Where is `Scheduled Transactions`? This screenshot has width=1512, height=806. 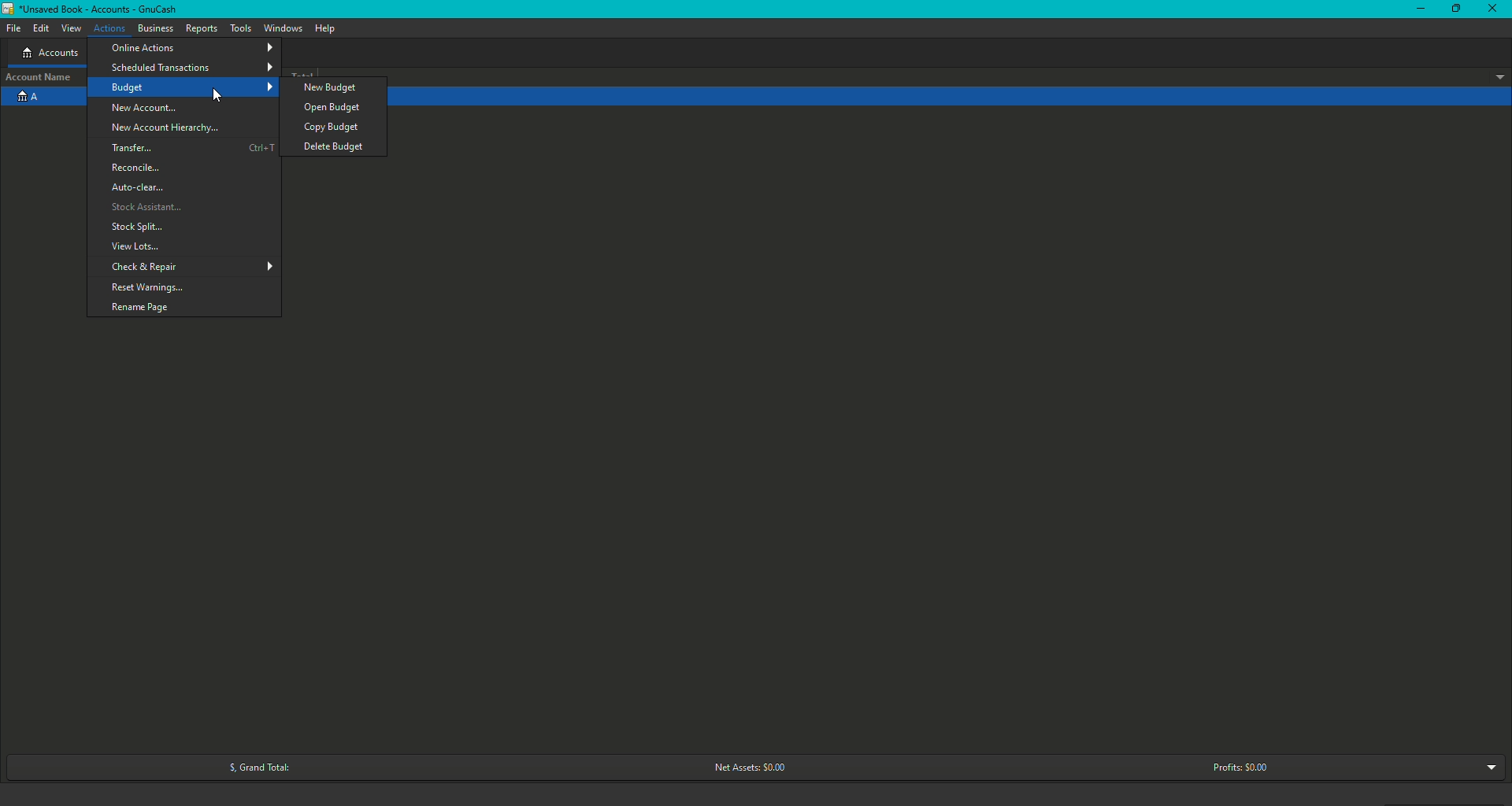 Scheduled Transactions is located at coordinates (192, 68).